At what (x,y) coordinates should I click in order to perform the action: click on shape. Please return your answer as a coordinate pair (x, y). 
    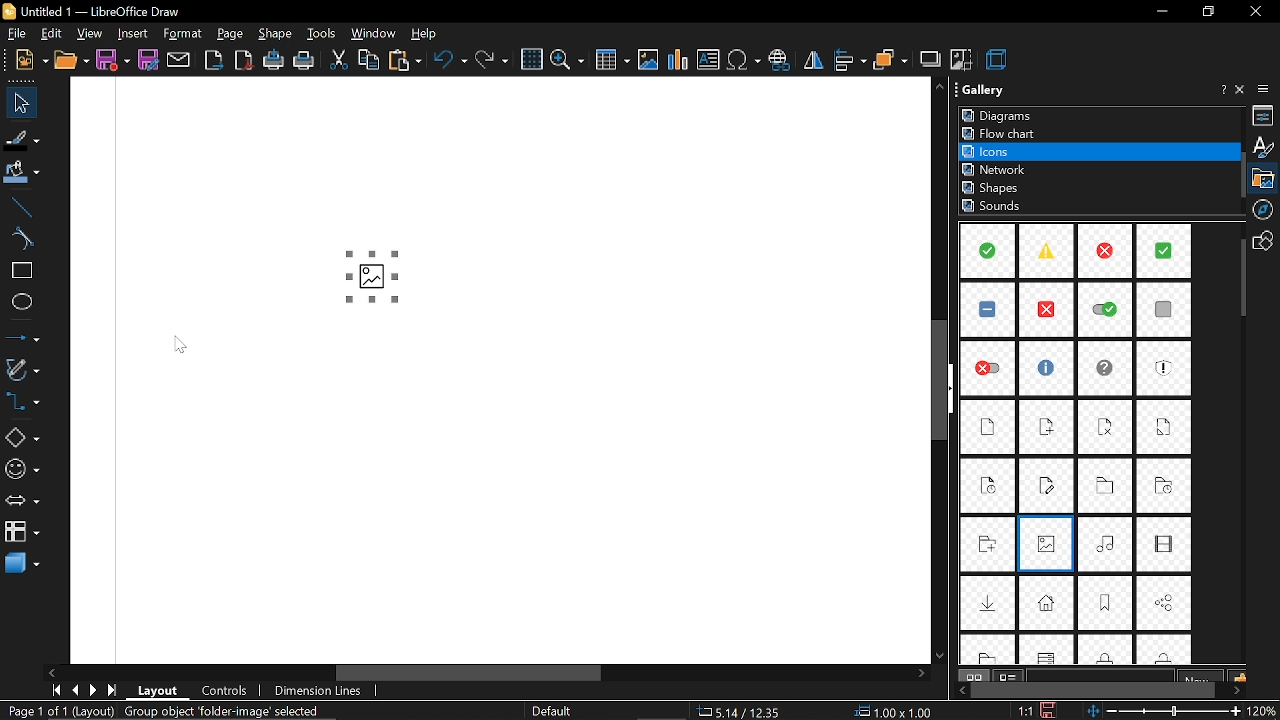
    Looking at the image, I should click on (275, 33).